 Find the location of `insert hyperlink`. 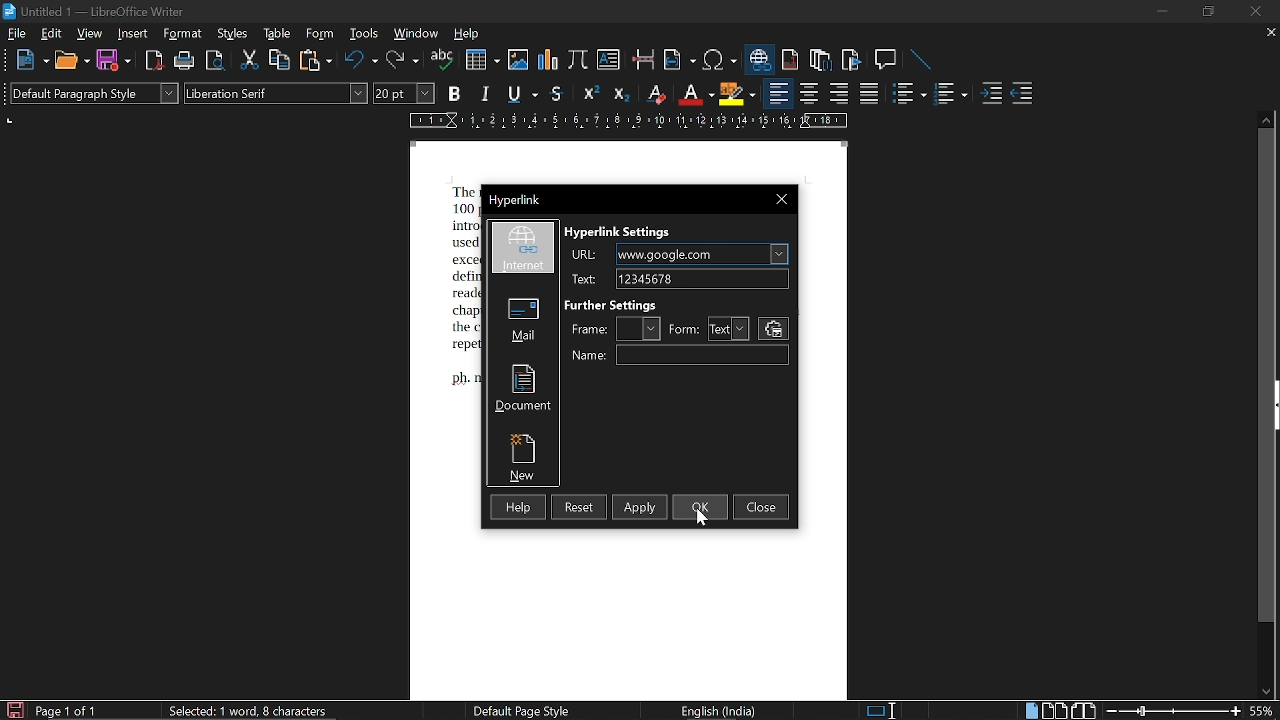

insert hyperlink is located at coordinates (758, 59).